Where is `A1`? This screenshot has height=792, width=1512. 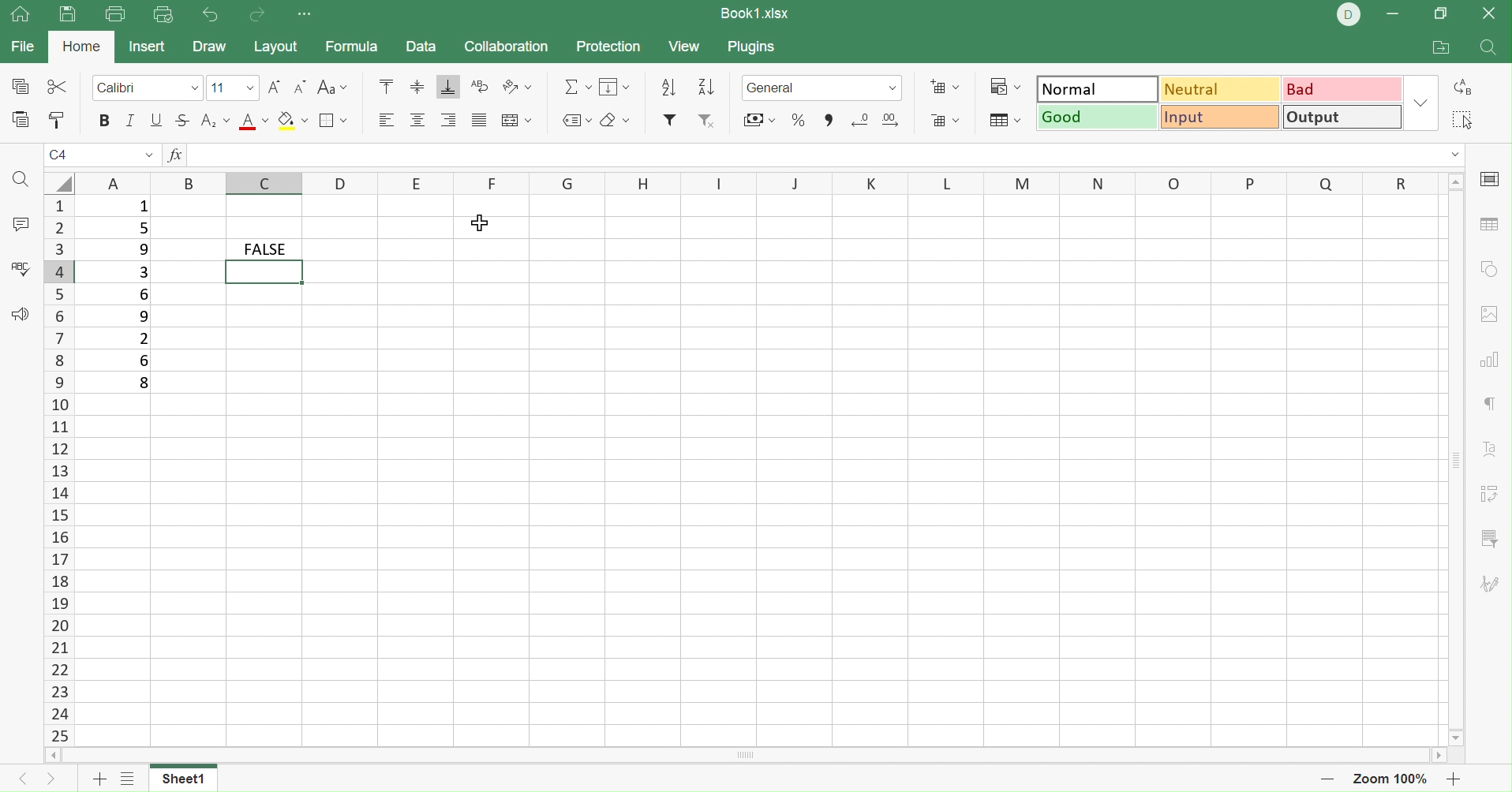
A1 is located at coordinates (60, 156).